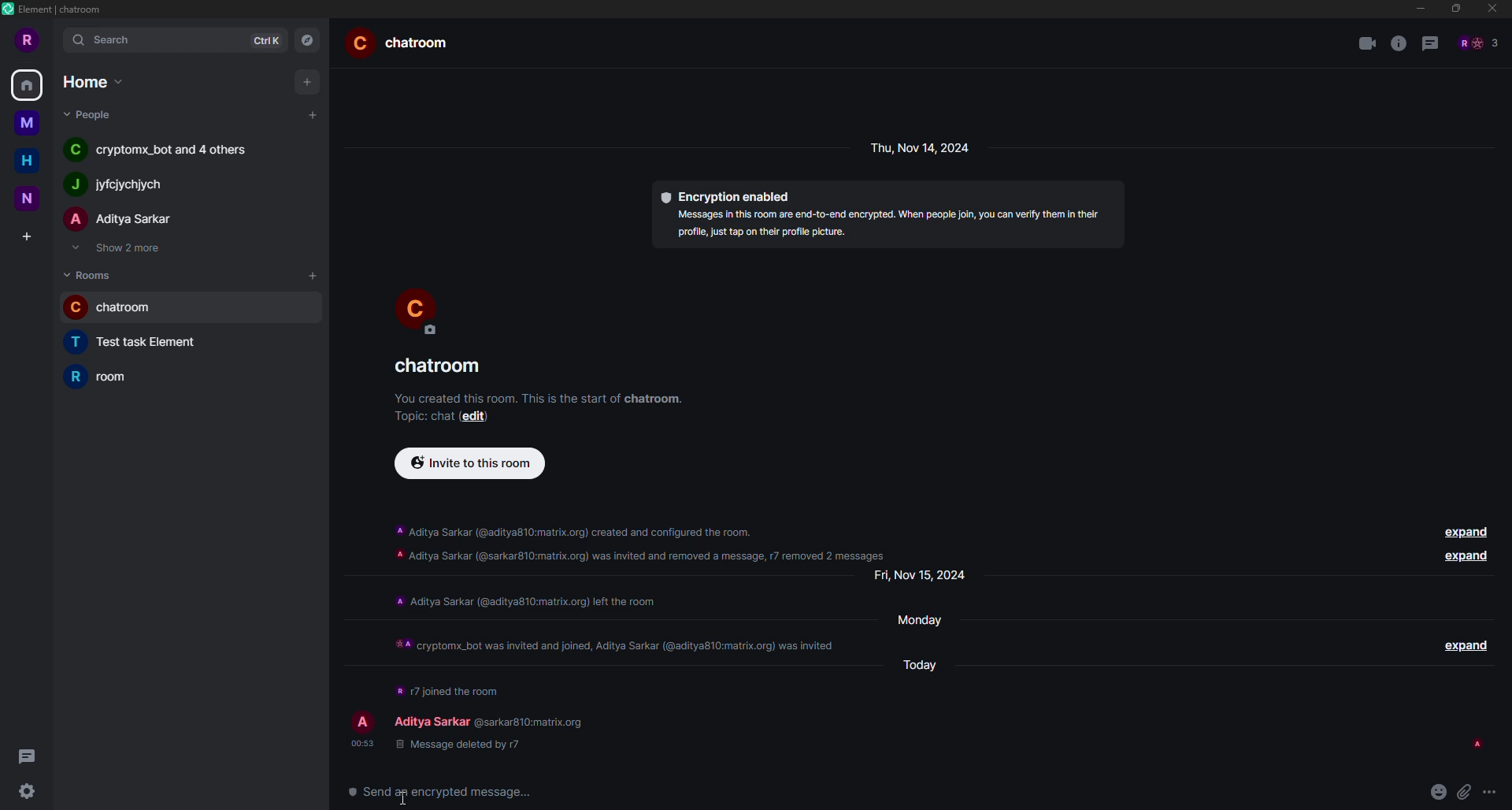  What do you see at coordinates (109, 376) in the screenshot?
I see `room` at bounding box center [109, 376].